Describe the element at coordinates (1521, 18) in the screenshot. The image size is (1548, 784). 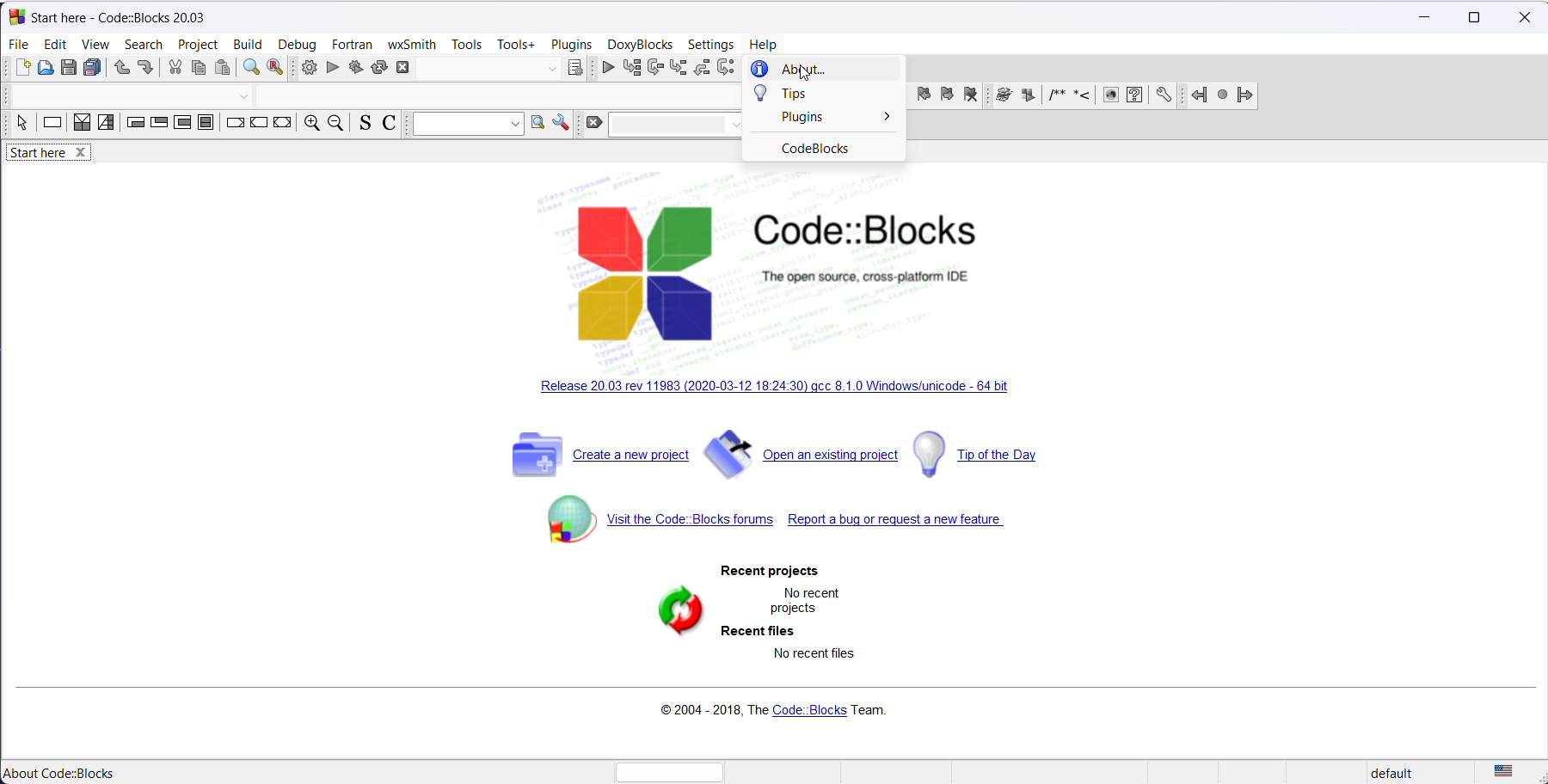
I see `close` at that location.